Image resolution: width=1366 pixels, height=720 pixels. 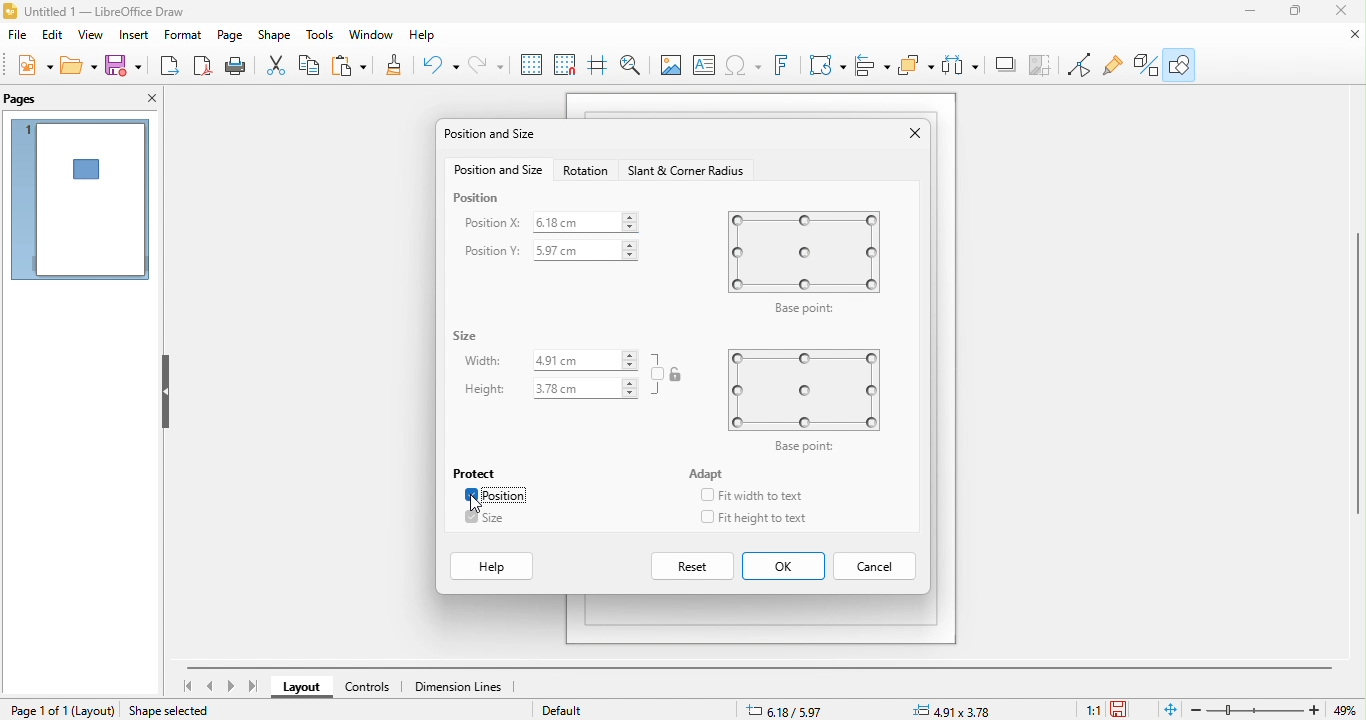 What do you see at coordinates (96, 710) in the screenshot?
I see `layout` at bounding box center [96, 710].